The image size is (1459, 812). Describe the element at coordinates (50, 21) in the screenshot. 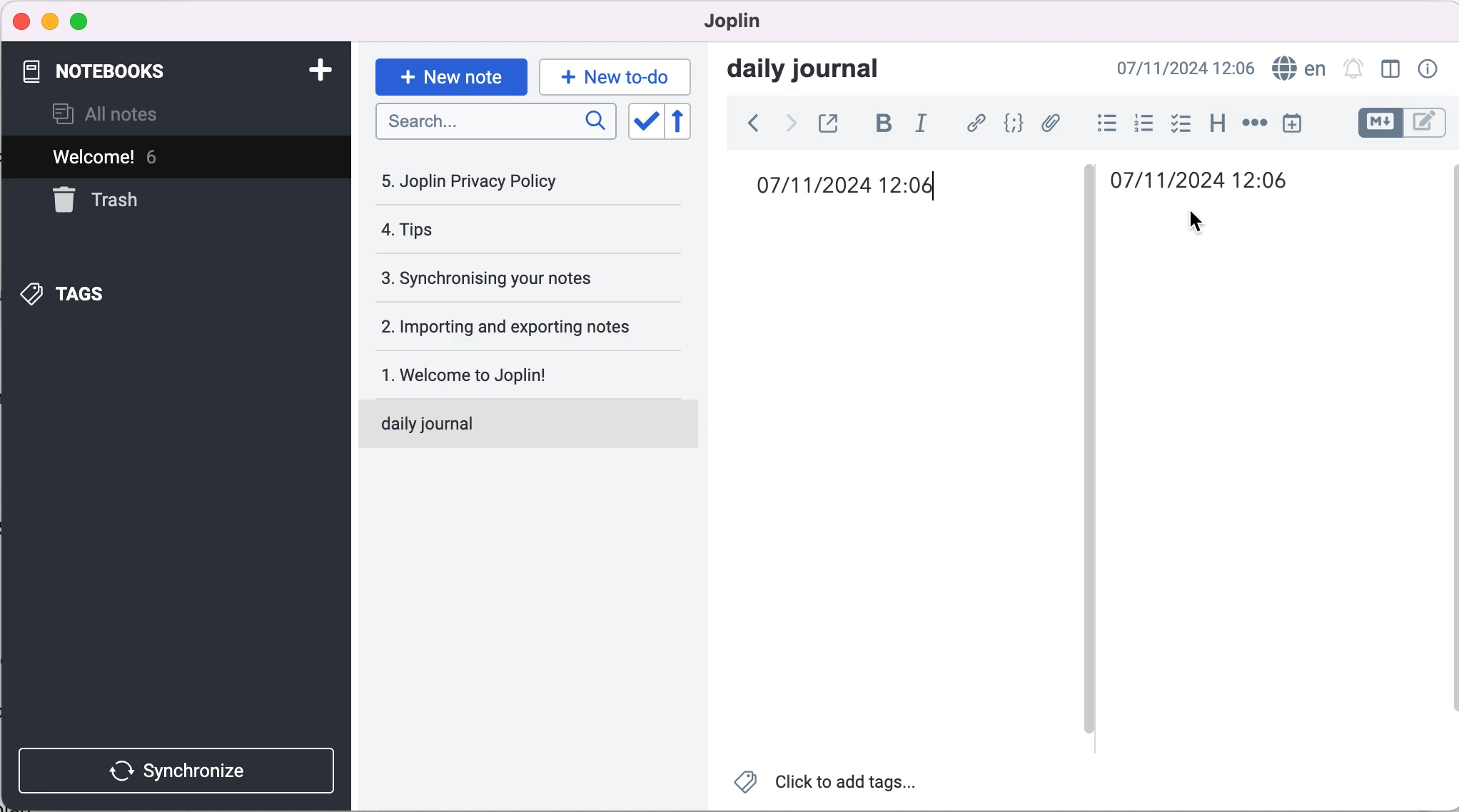

I see `minimize` at that location.